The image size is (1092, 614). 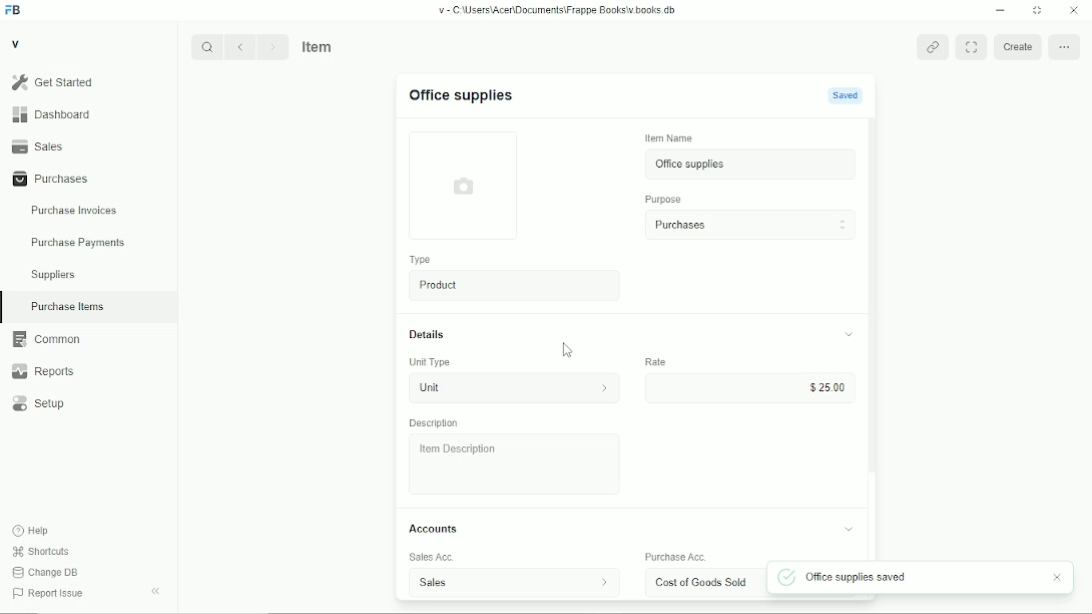 I want to click on cost of goods sold, so click(x=704, y=582).